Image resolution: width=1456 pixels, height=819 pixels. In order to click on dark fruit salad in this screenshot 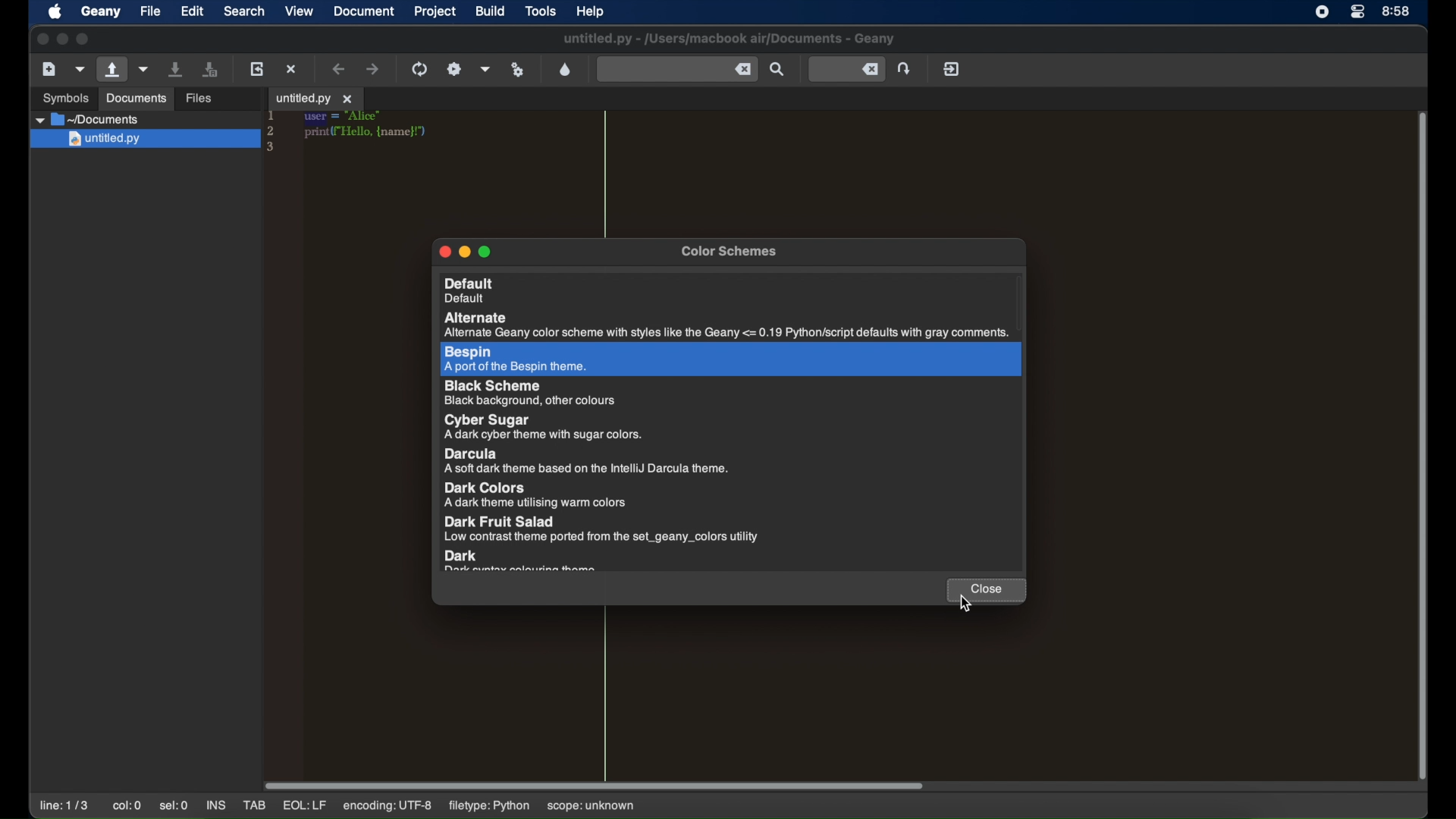, I will do `click(602, 529)`.